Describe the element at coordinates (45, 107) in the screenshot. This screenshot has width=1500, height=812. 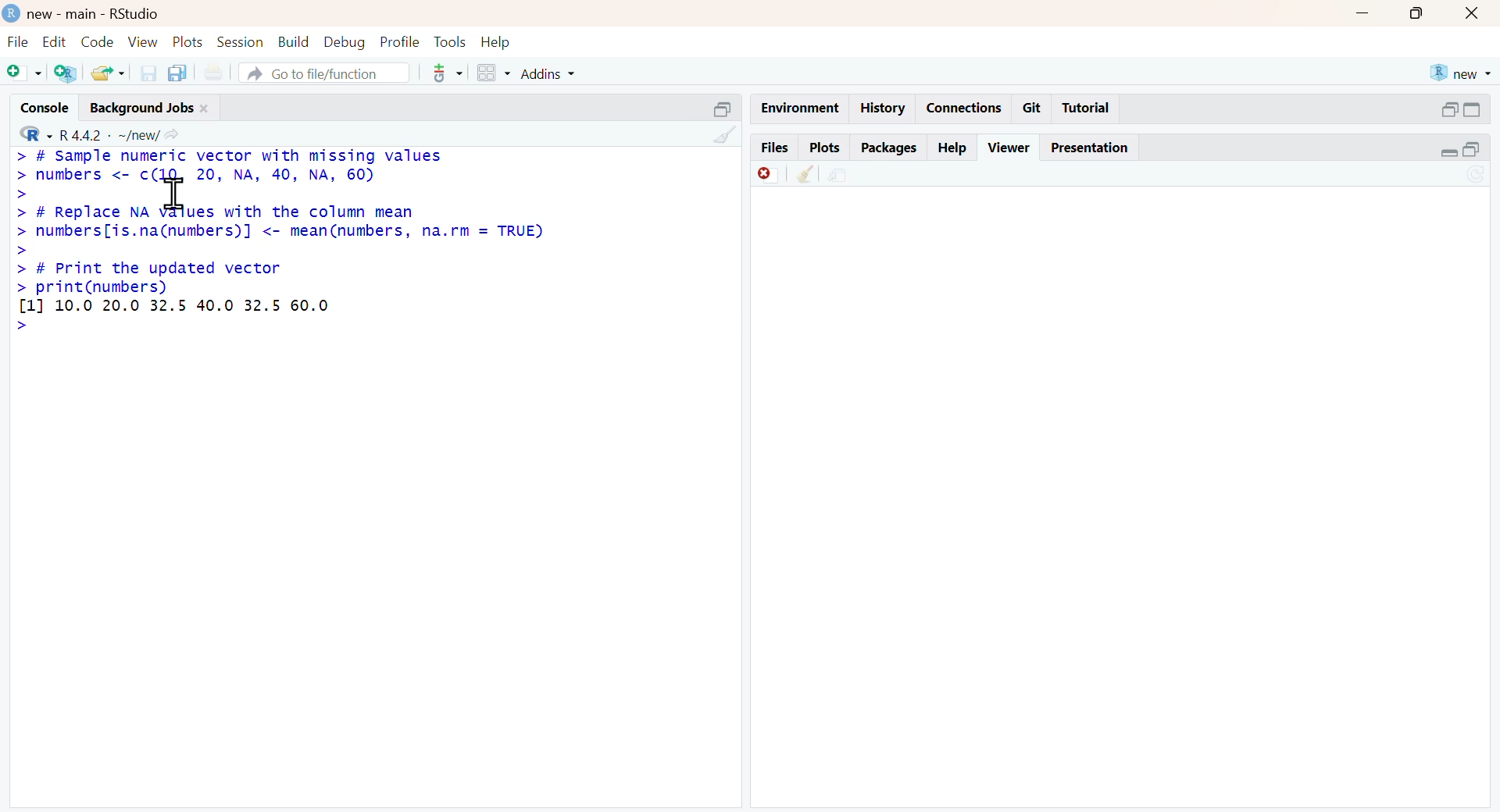
I see `console` at that location.